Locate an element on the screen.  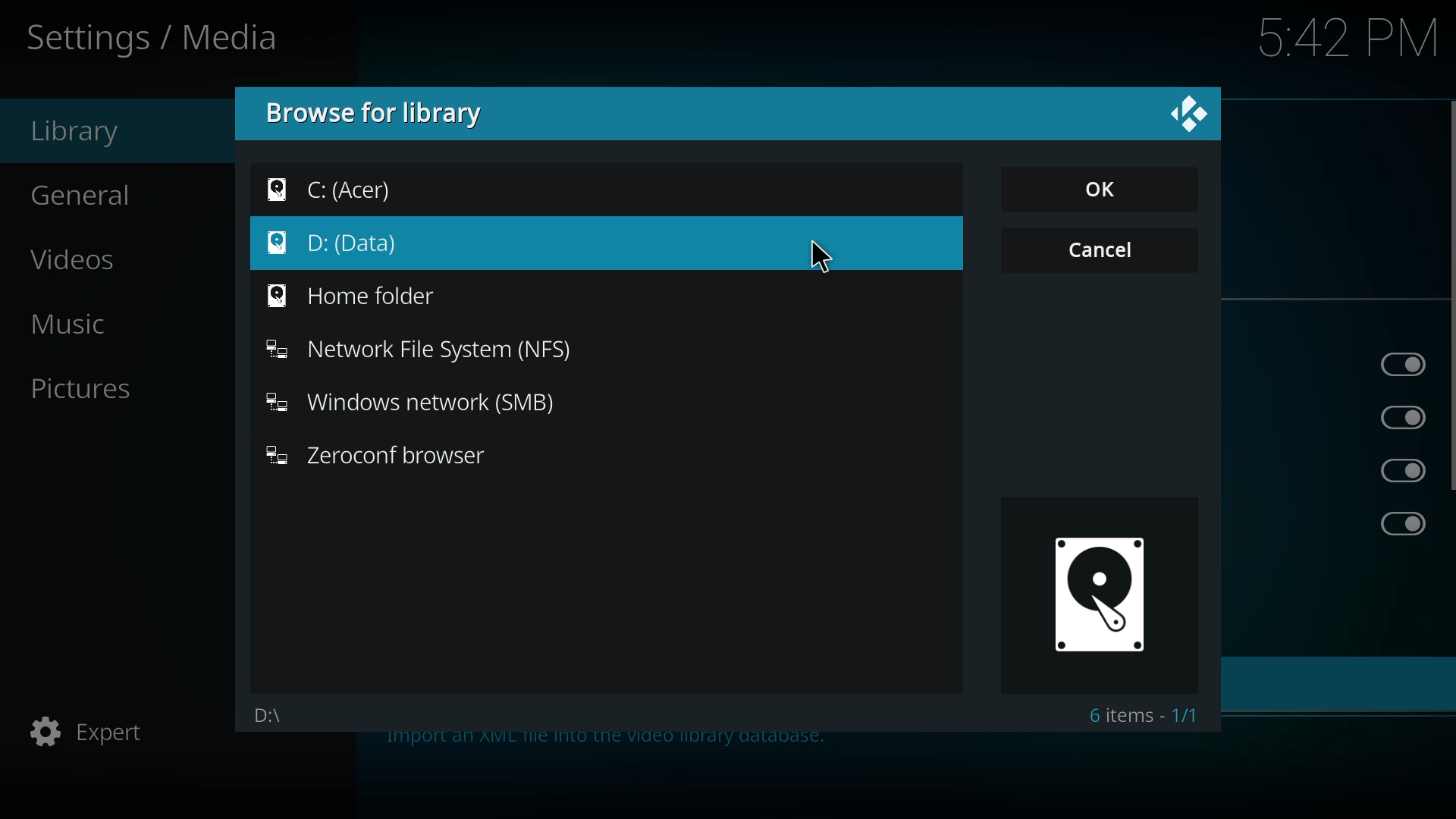
videos is located at coordinates (86, 259).